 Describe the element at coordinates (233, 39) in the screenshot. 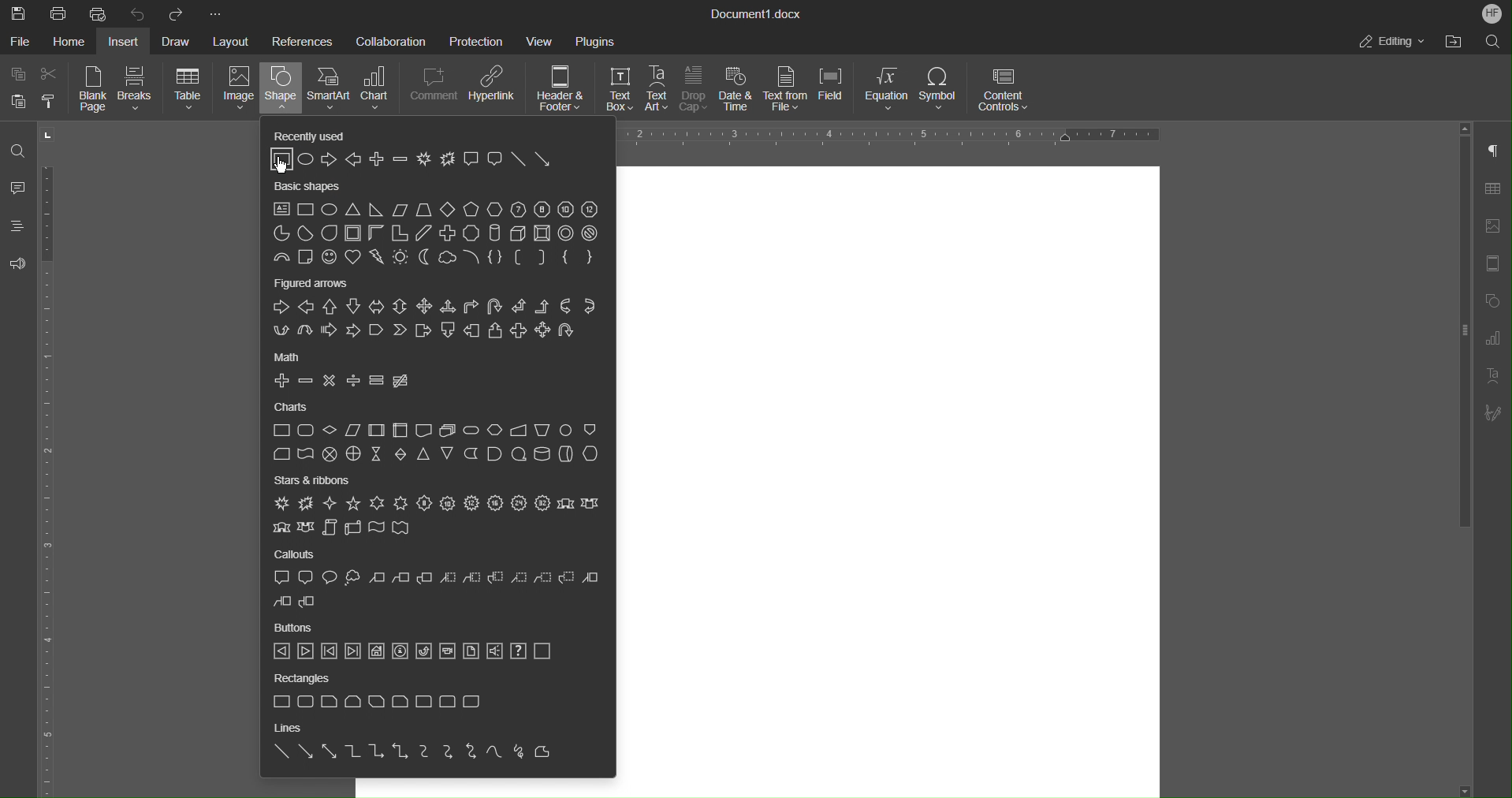

I see `Layout` at that location.